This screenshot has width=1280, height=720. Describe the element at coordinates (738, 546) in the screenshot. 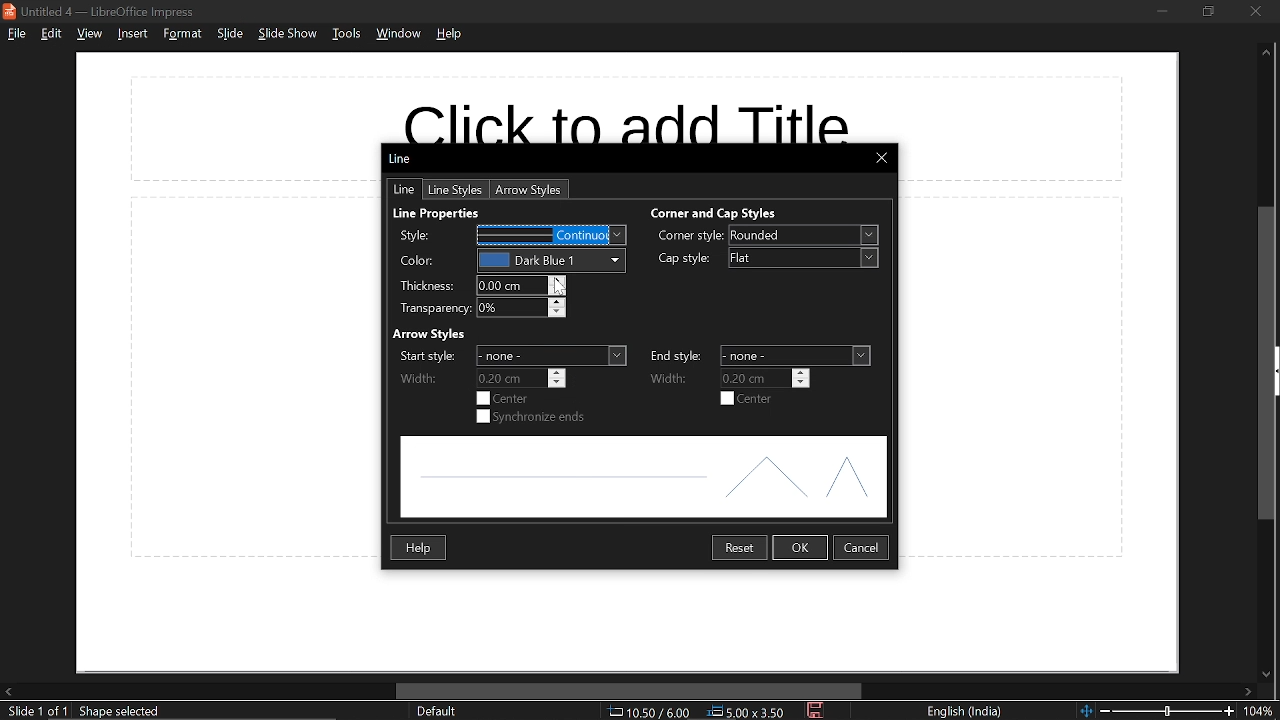

I see `restart` at that location.